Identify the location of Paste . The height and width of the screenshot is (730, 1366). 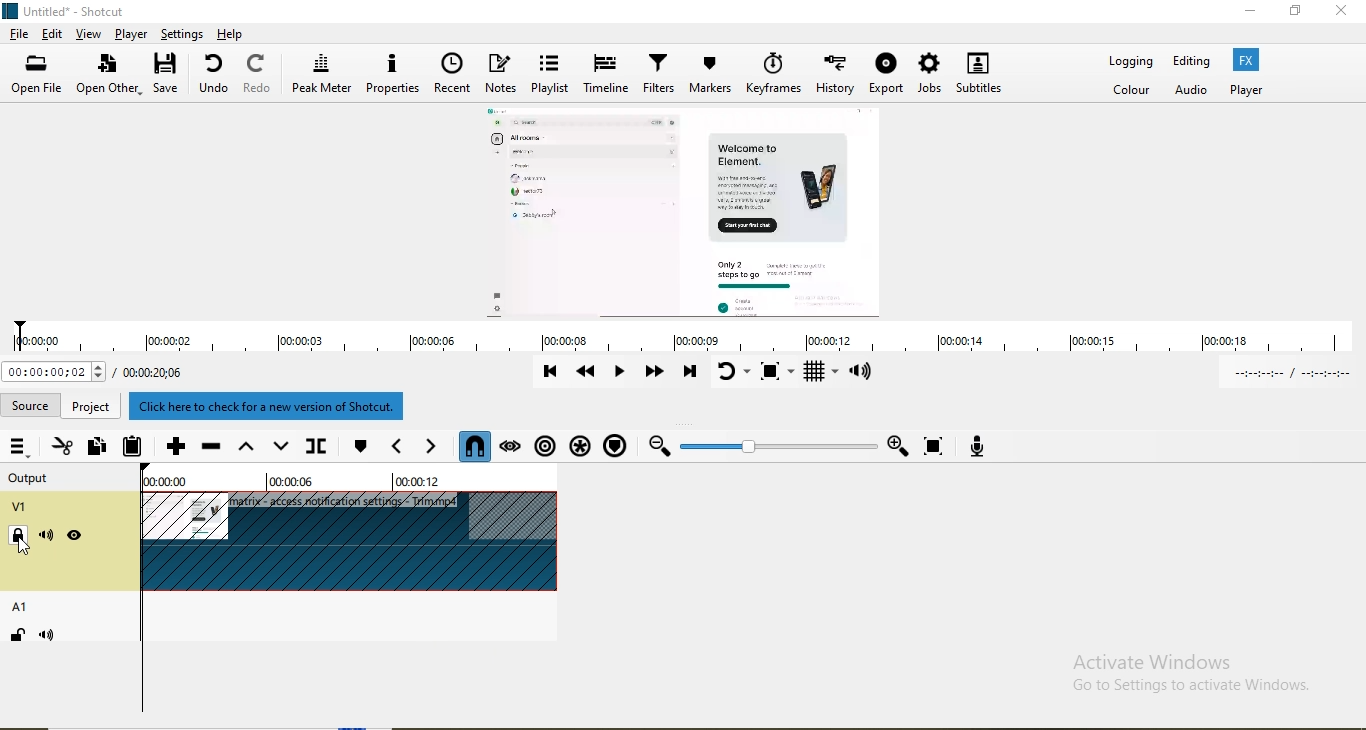
(131, 448).